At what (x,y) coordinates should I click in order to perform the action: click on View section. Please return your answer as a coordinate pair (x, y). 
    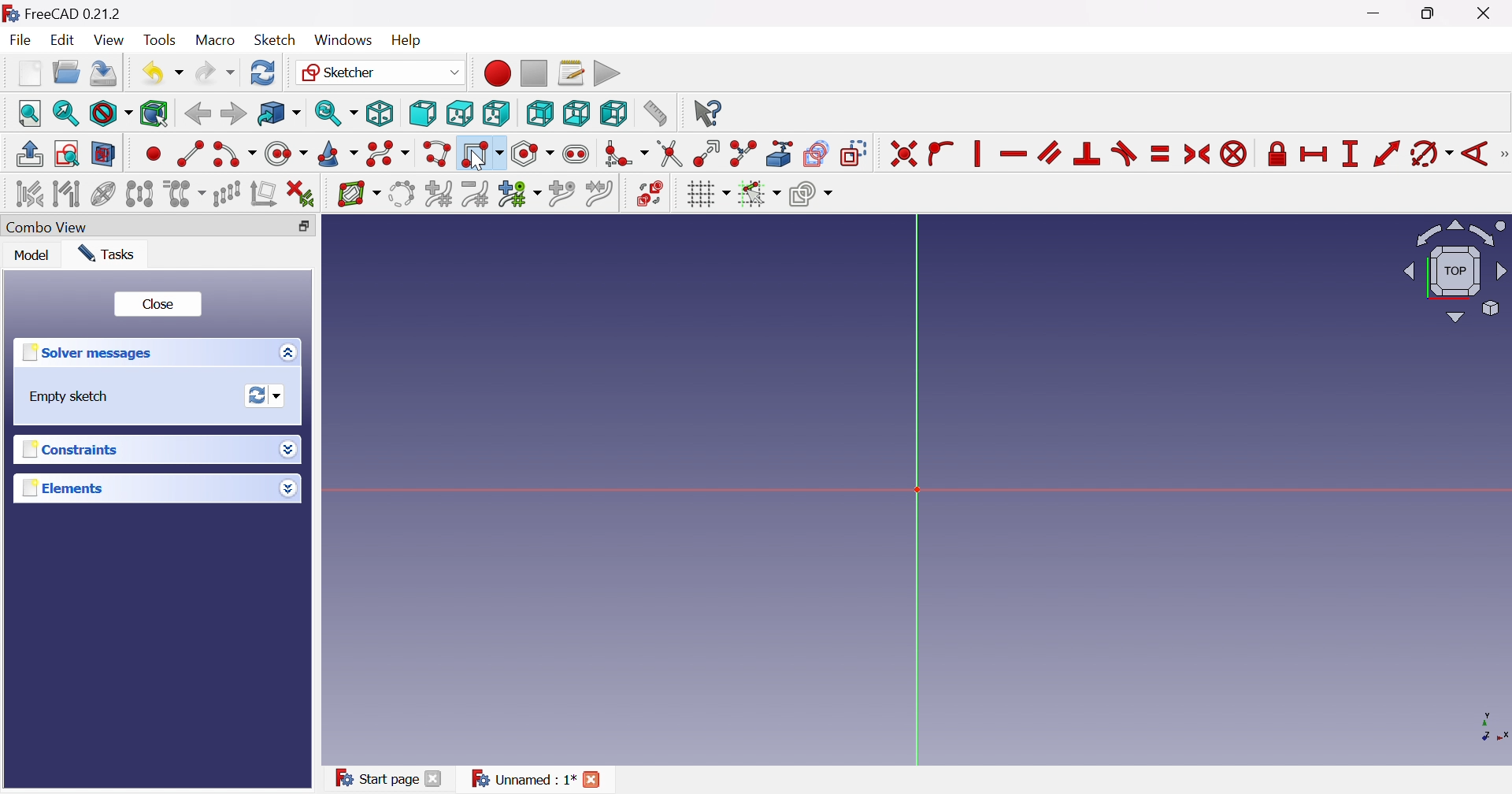
    Looking at the image, I should click on (105, 154).